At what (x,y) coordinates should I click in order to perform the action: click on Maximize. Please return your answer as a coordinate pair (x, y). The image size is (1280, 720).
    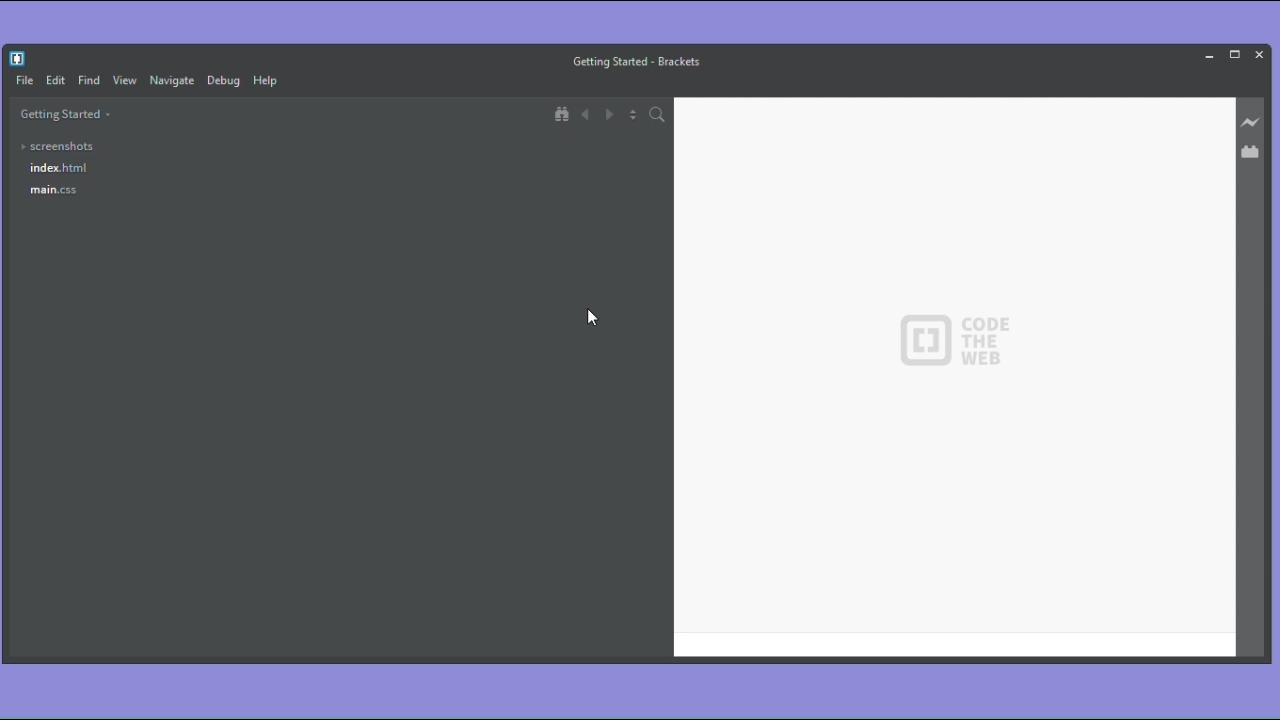
    Looking at the image, I should click on (1234, 53).